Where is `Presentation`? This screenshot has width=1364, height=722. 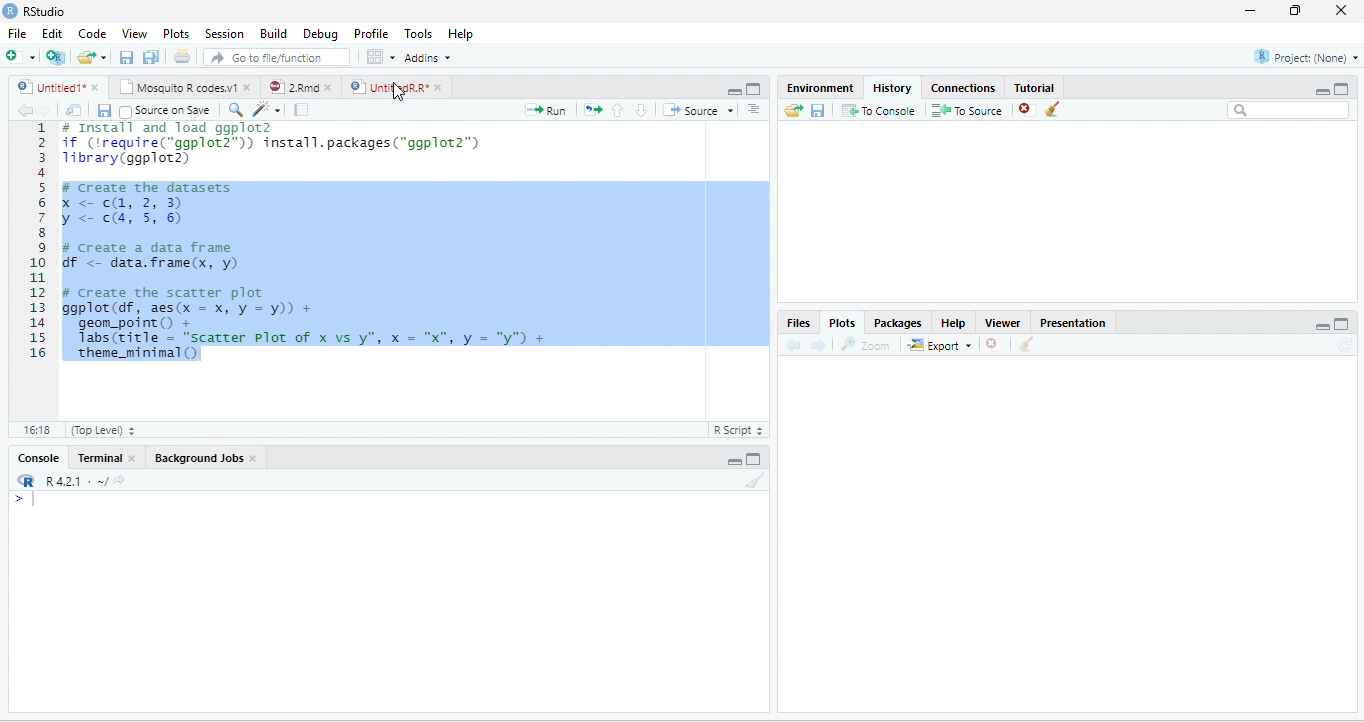 Presentation is located at coordinates (1073, 322).